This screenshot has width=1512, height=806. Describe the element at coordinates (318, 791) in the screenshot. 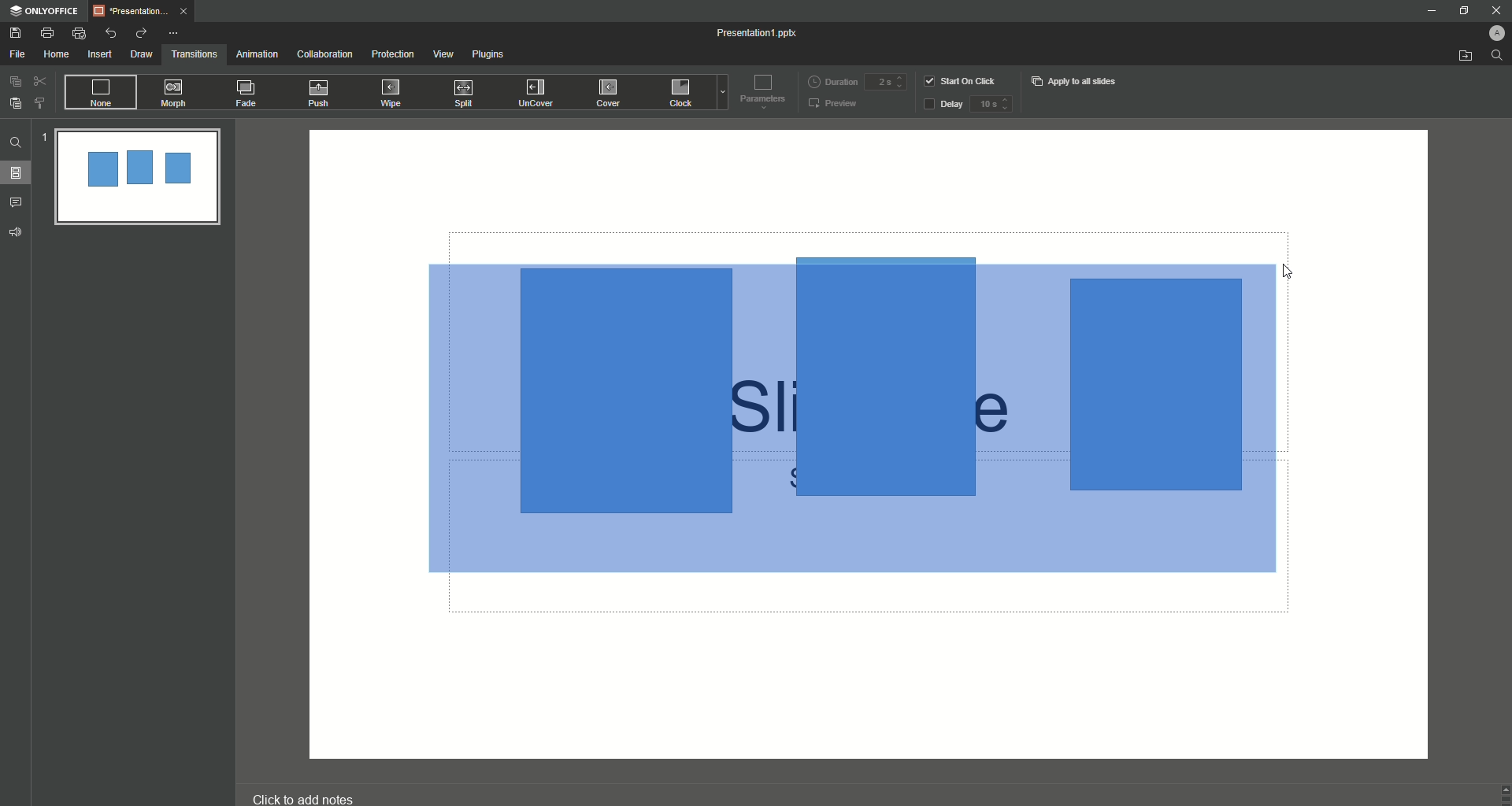

I see `click to add notes` at that location.